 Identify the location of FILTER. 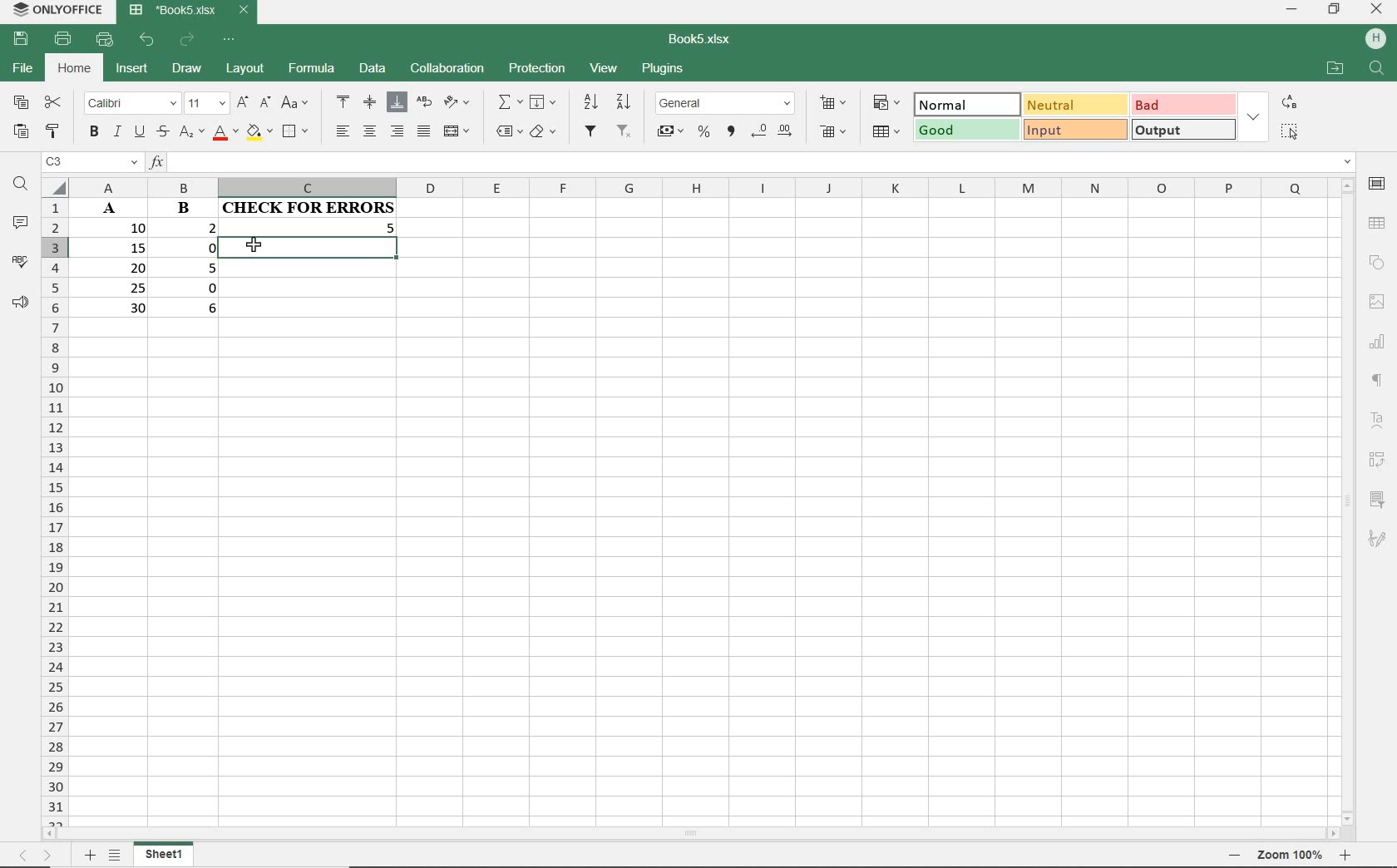
(593, 134).